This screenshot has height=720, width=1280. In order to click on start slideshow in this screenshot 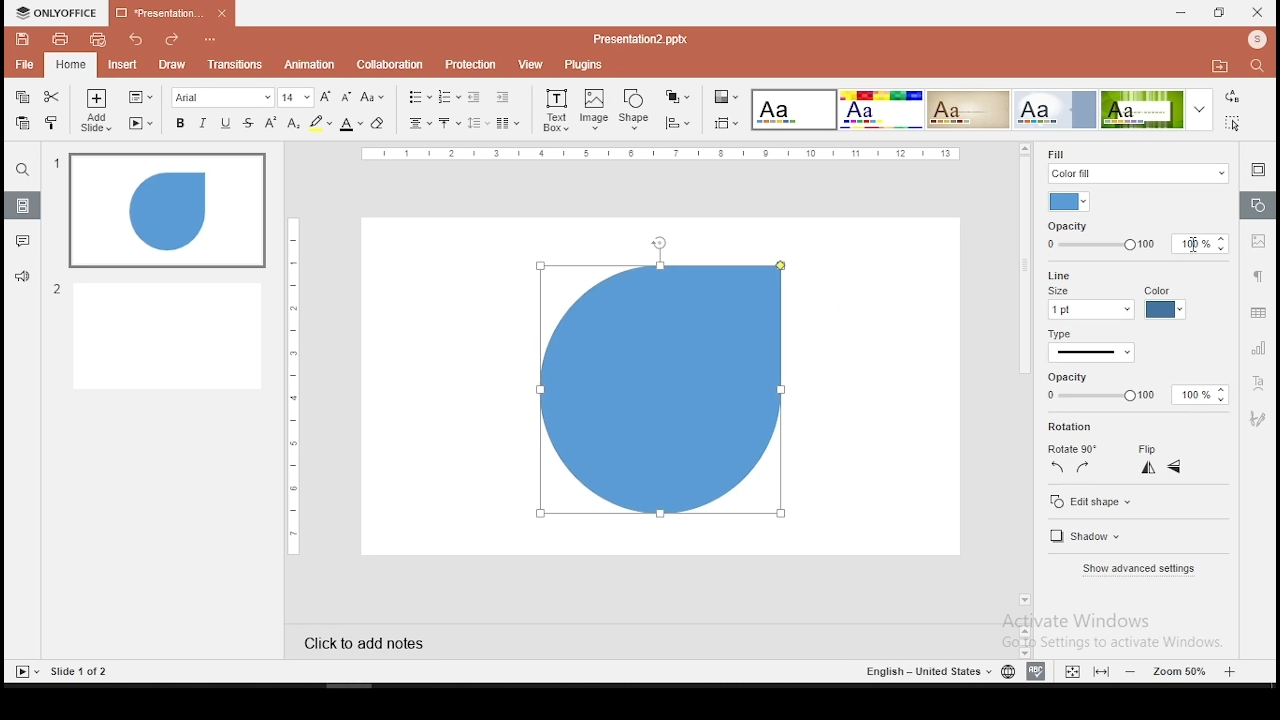, I will do `click(141, 124)`.